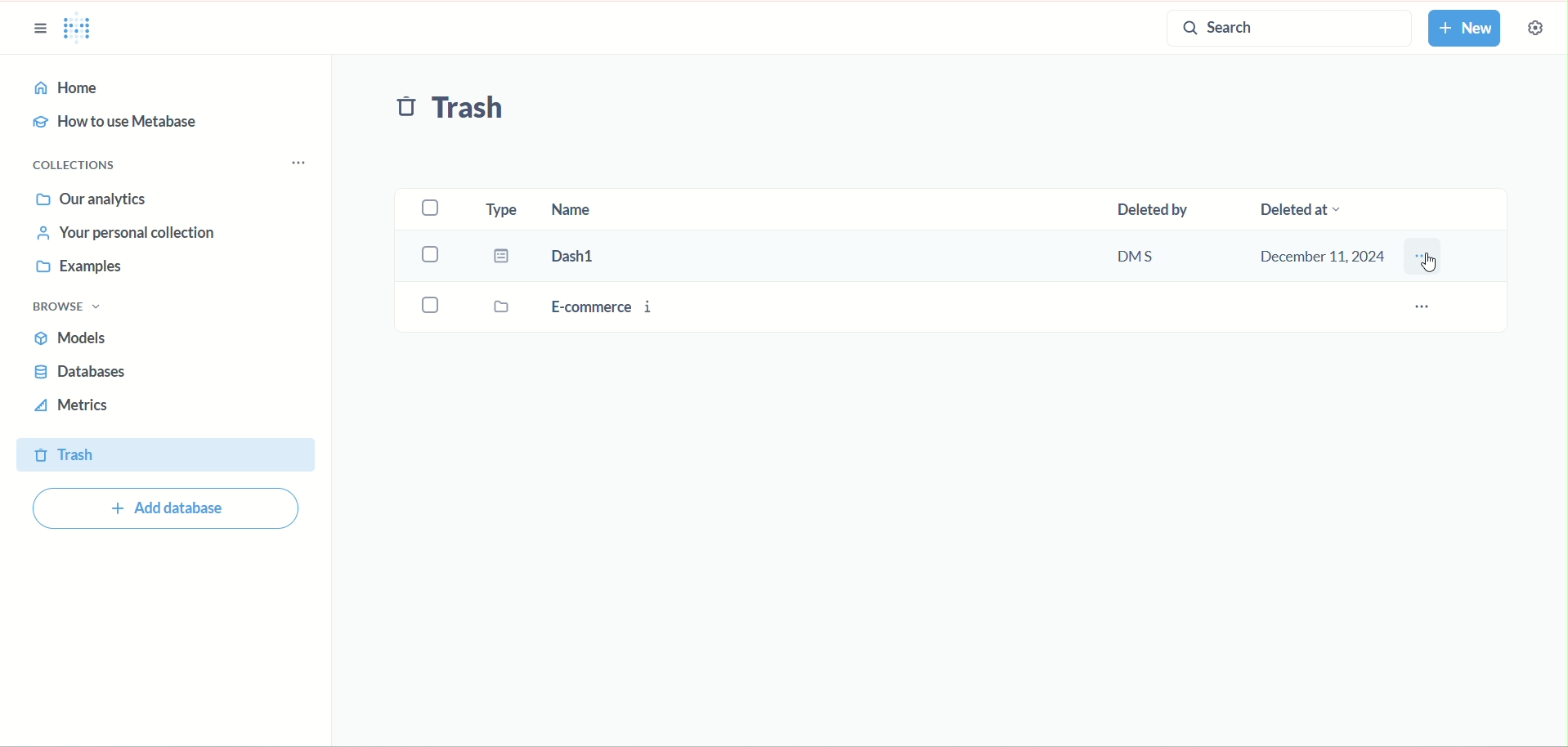 The width and height of the screenshot is (1568, 747). What do you see at coordinates (1324, 208) in the screenshot?
I see `deleted at` at bounding box center [1324, 208].